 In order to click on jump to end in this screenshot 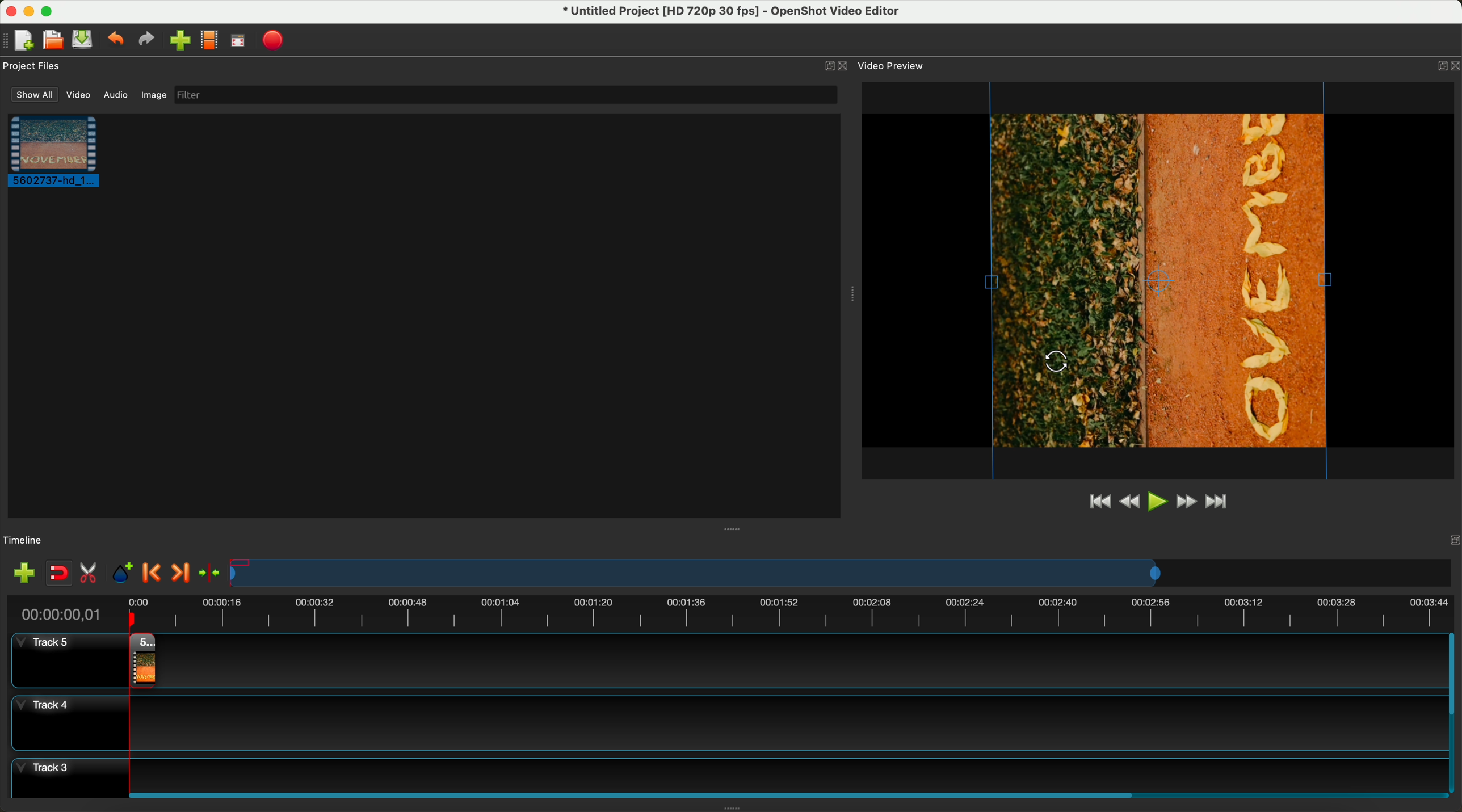, I will do `click(1224, 503)`.